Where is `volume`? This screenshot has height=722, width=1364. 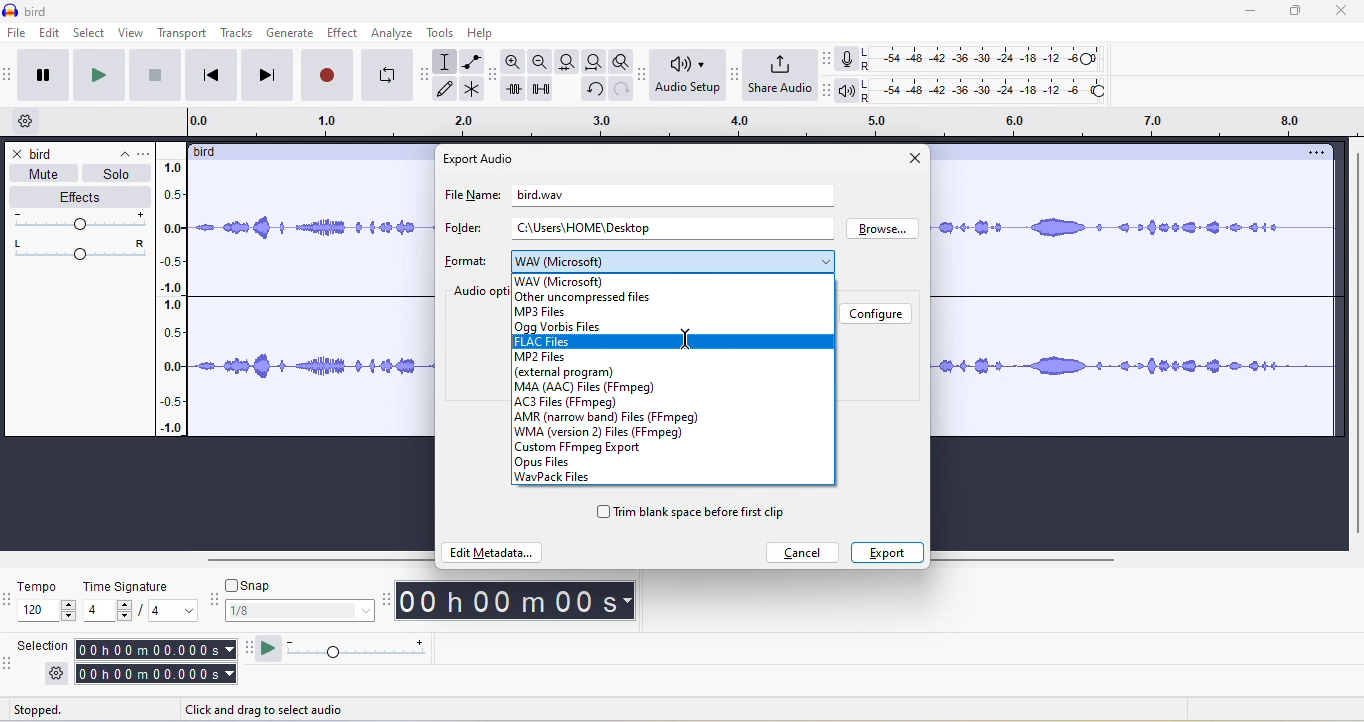 volume is located at coordinates (83, 221).